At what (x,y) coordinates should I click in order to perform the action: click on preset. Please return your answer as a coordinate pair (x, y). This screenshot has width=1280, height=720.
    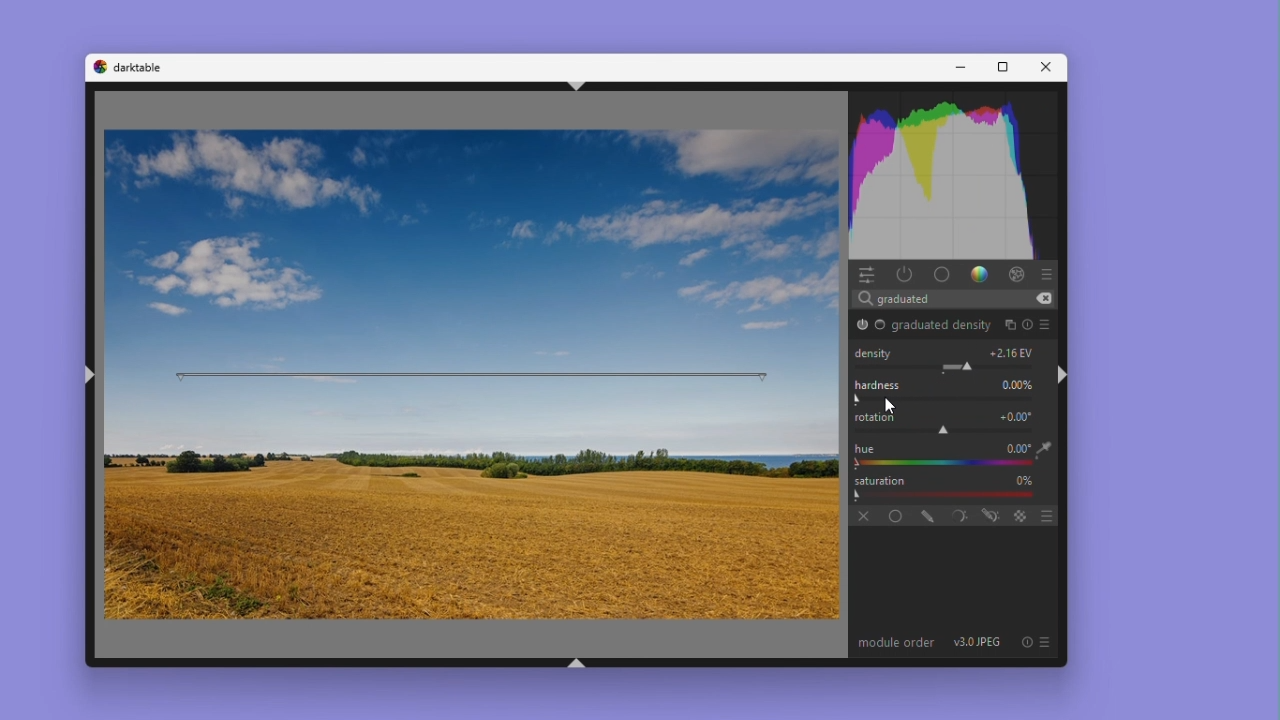
    Looking at the image, I should click on (1045, 643).